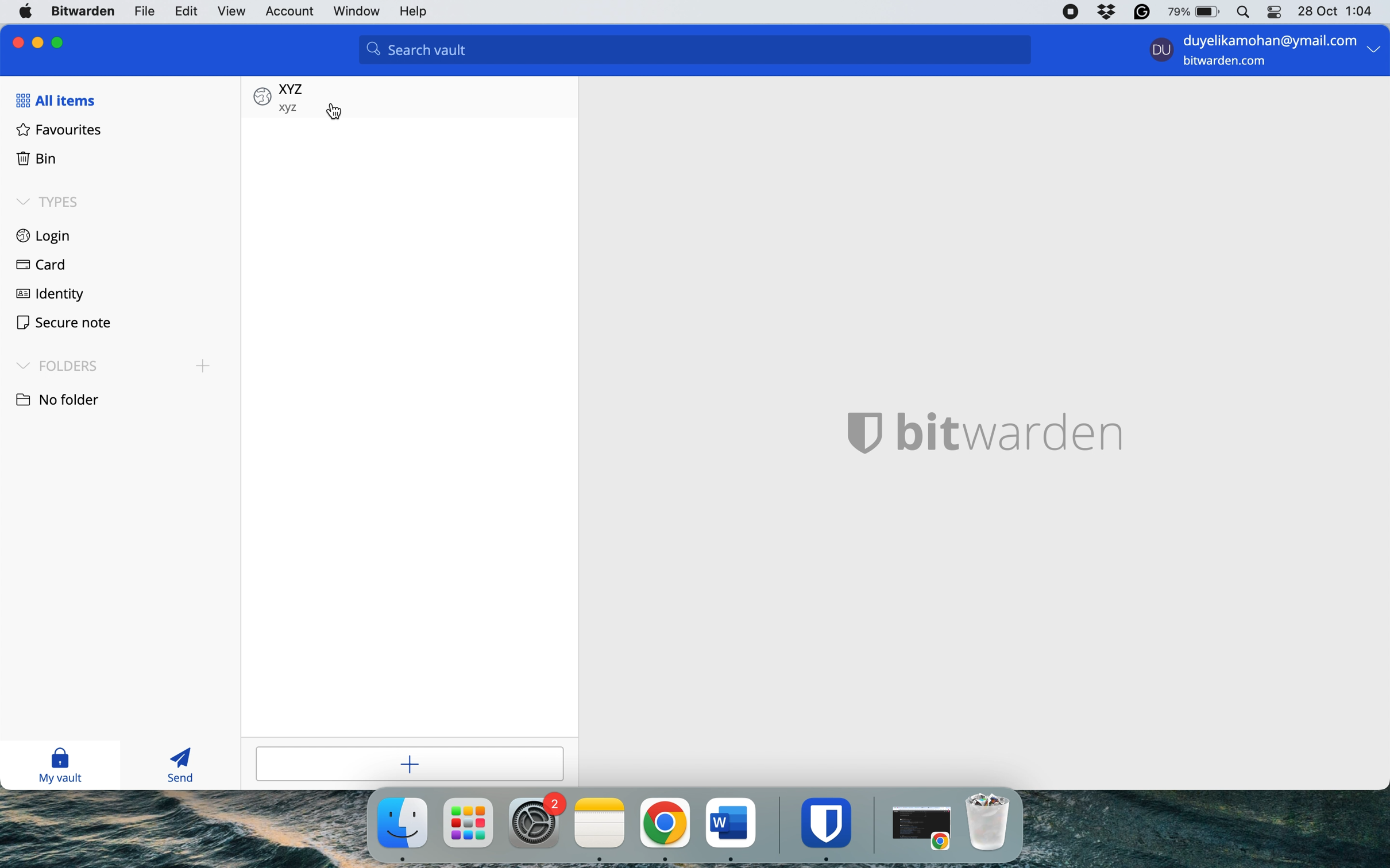  I want to click on login, so click(45, 234).